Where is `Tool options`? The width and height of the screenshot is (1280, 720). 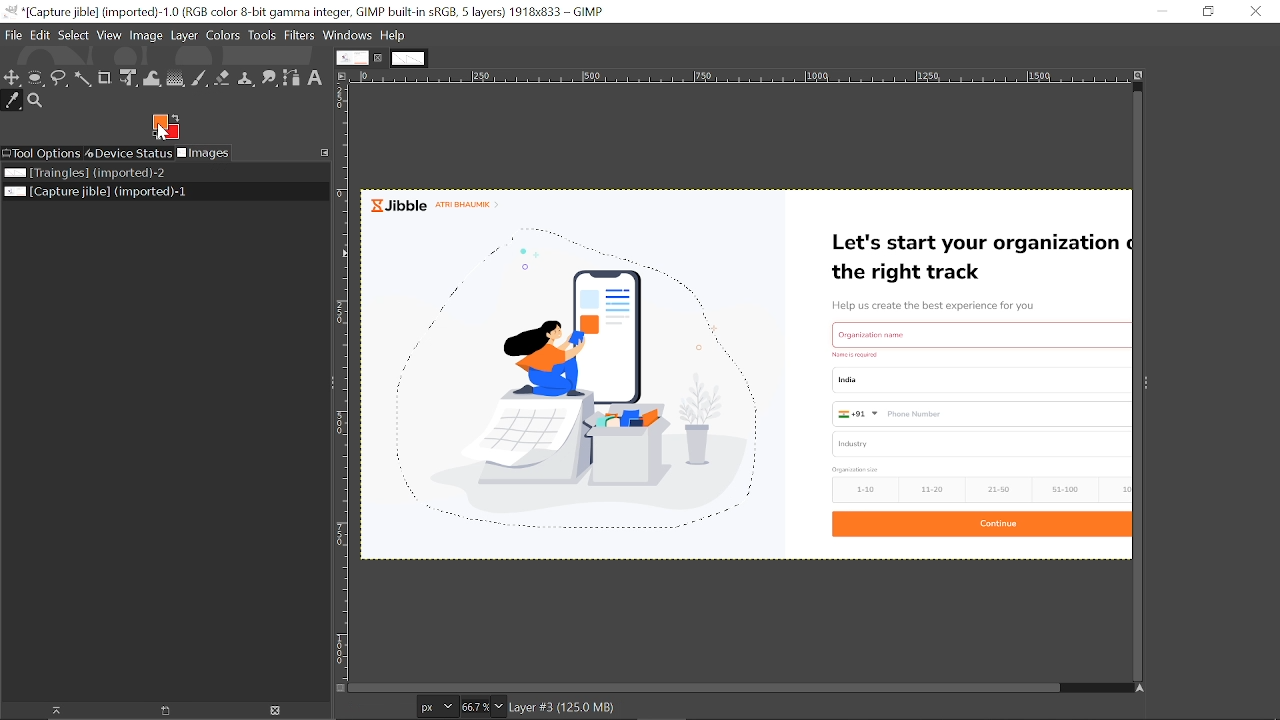
Tool options is located at coordinates (43, 154).